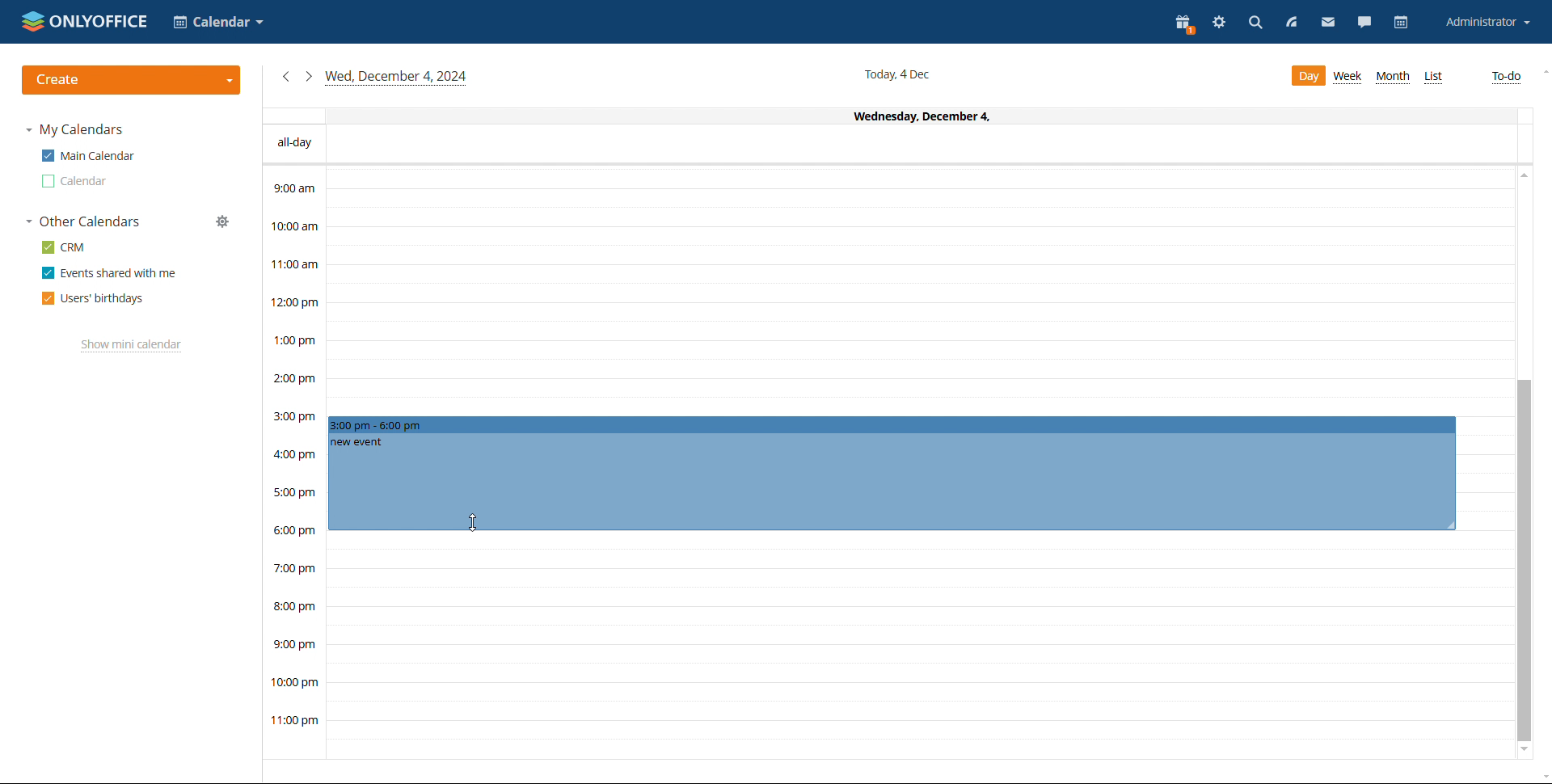 The width and height of the screenshot is (1552, 784). I want to click on create, so click(131, 80).